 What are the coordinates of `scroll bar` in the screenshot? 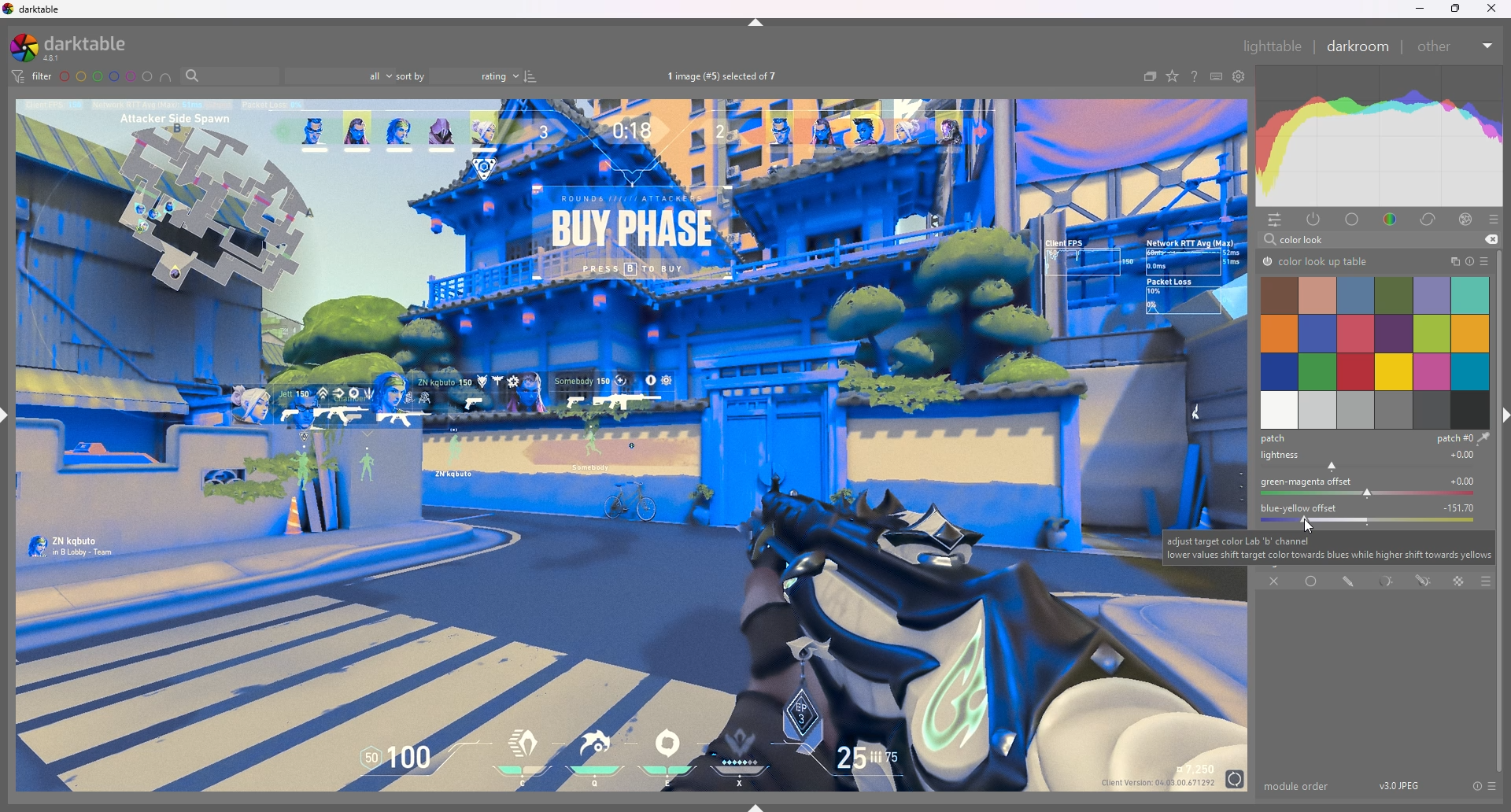 It's located at (1502, 513).